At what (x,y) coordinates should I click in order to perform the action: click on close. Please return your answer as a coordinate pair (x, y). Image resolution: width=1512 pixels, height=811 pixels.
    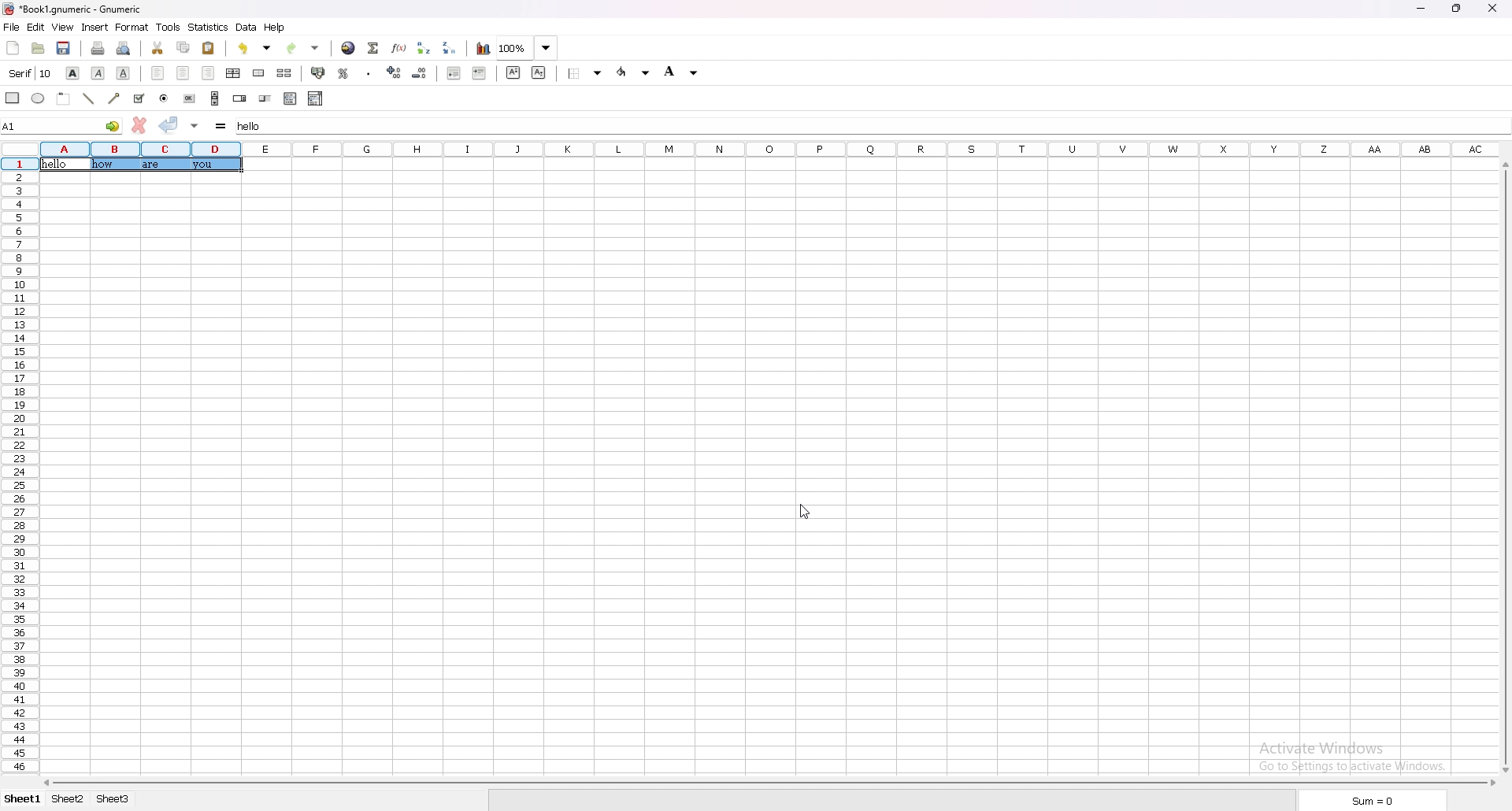
    Looking at the image, I should click on (1494, 9).